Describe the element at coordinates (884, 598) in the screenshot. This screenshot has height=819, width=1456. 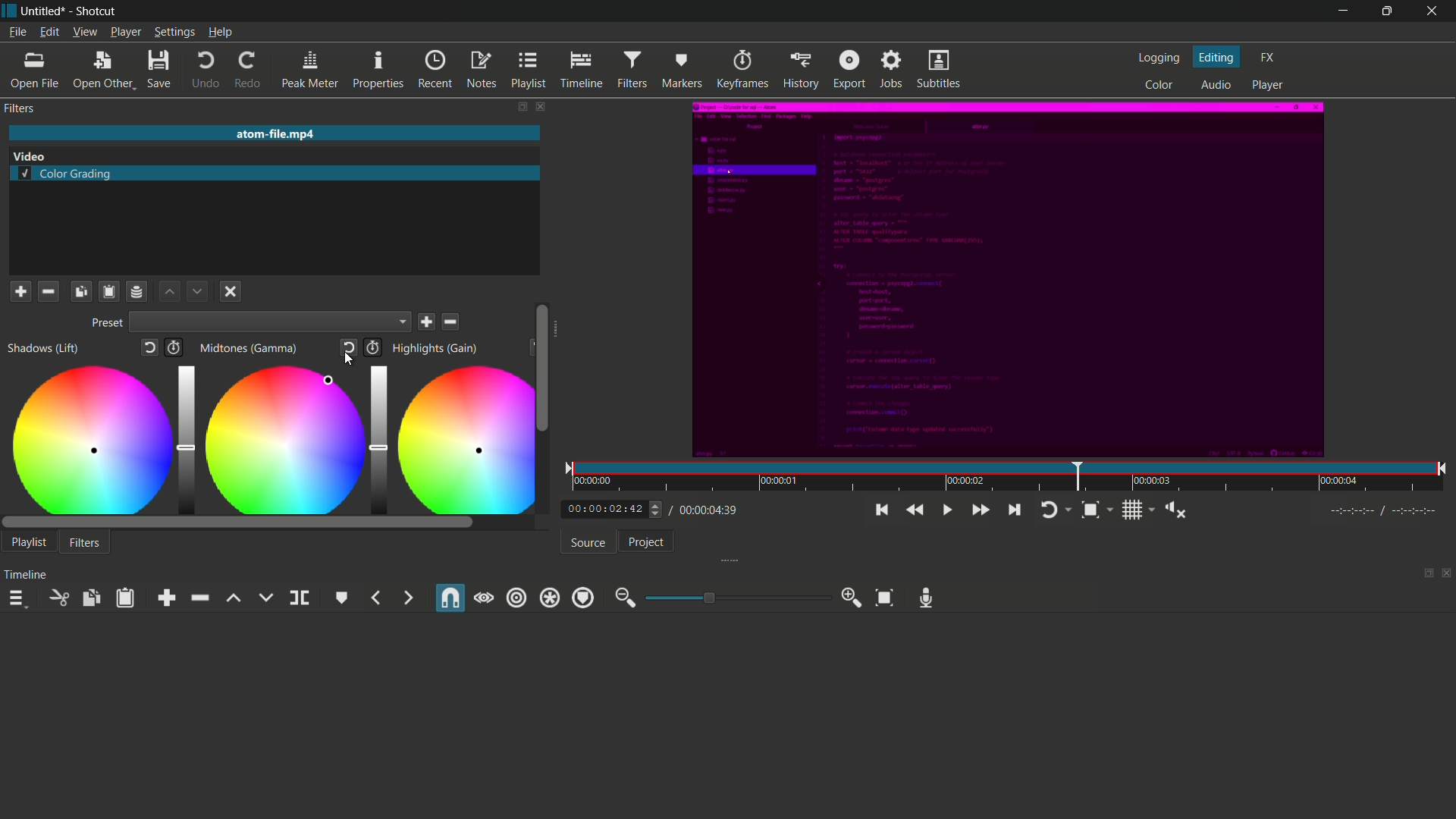
I see `zoom timeline to fit` at that location.